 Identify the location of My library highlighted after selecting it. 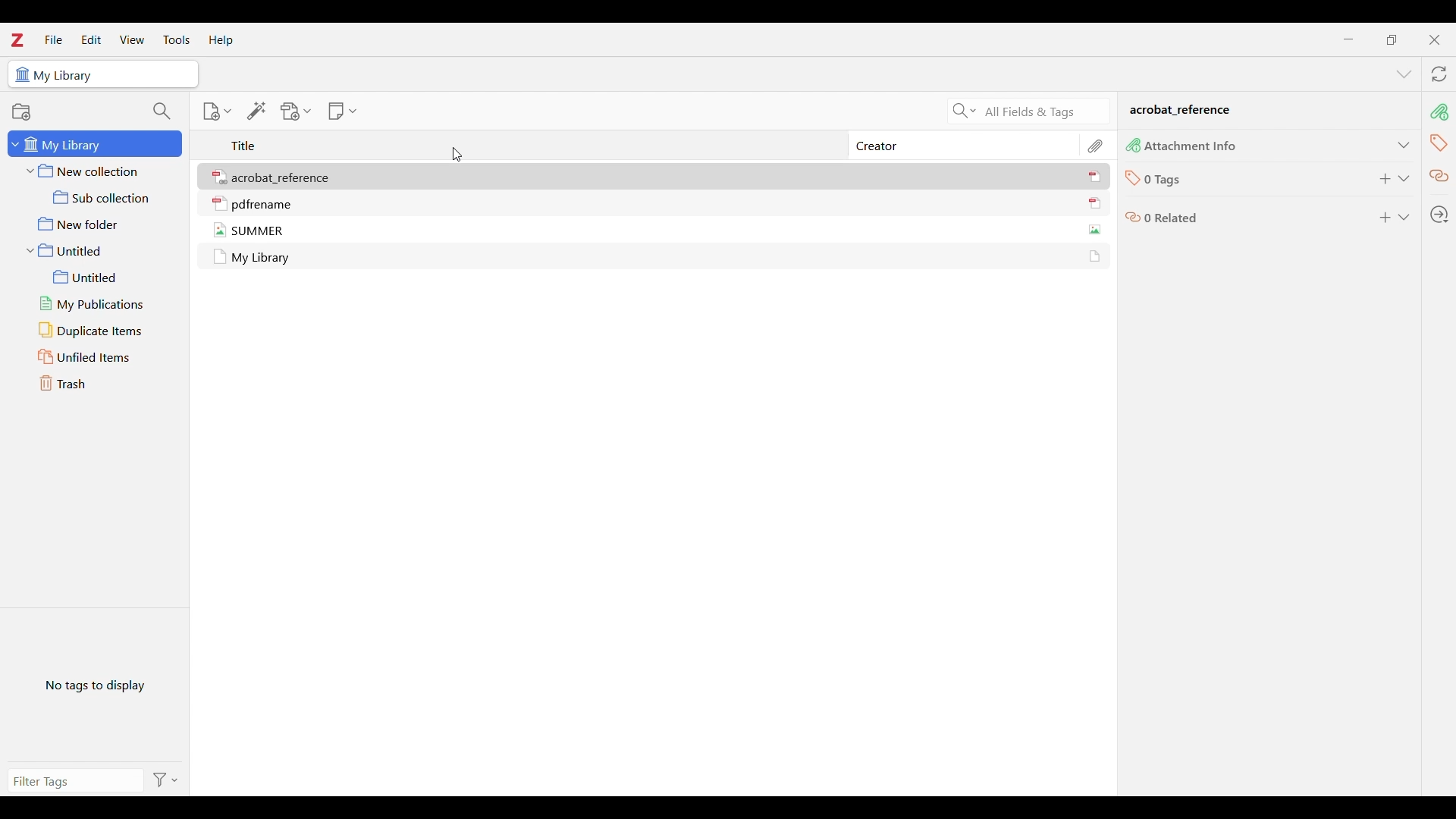
(96, 144).